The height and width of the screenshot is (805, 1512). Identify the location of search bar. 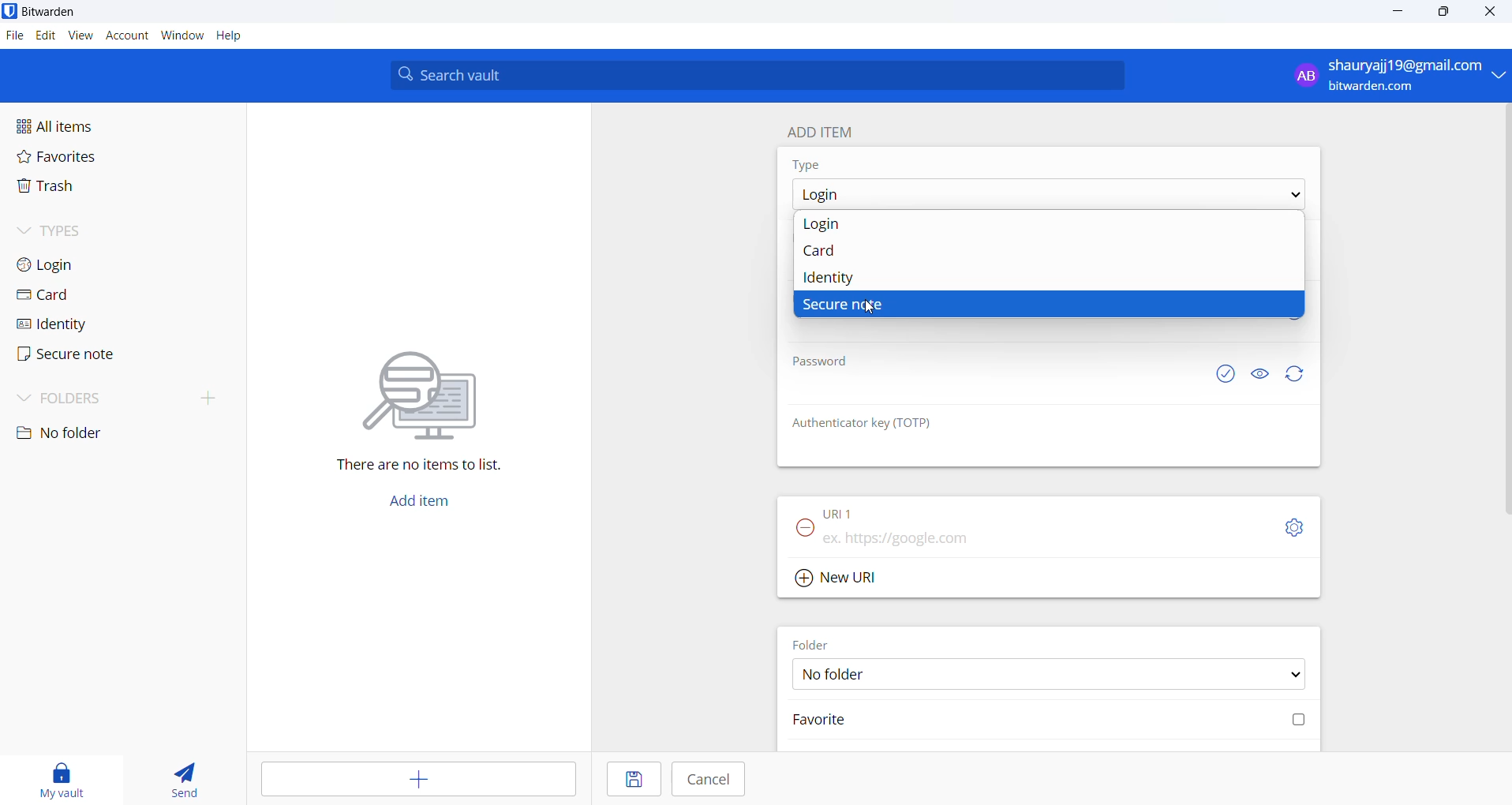
(757, 75).